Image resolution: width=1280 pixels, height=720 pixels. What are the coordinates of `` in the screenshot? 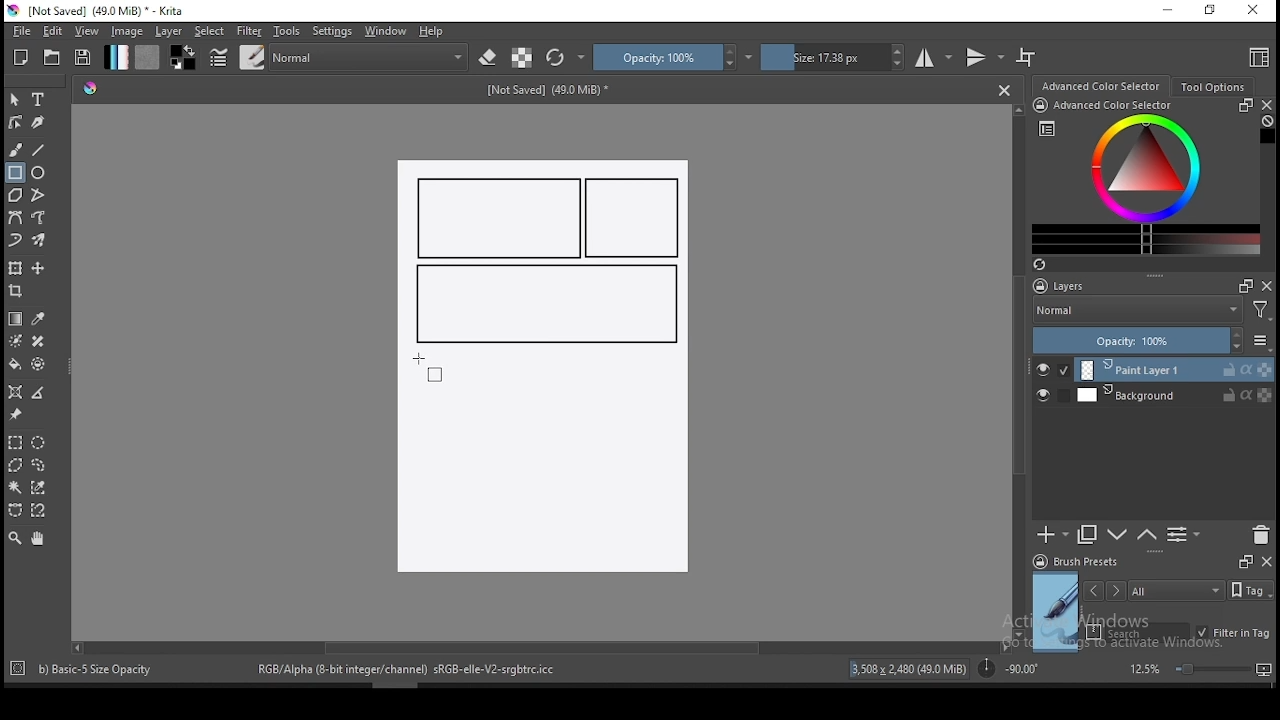 It's located at (985, 55).